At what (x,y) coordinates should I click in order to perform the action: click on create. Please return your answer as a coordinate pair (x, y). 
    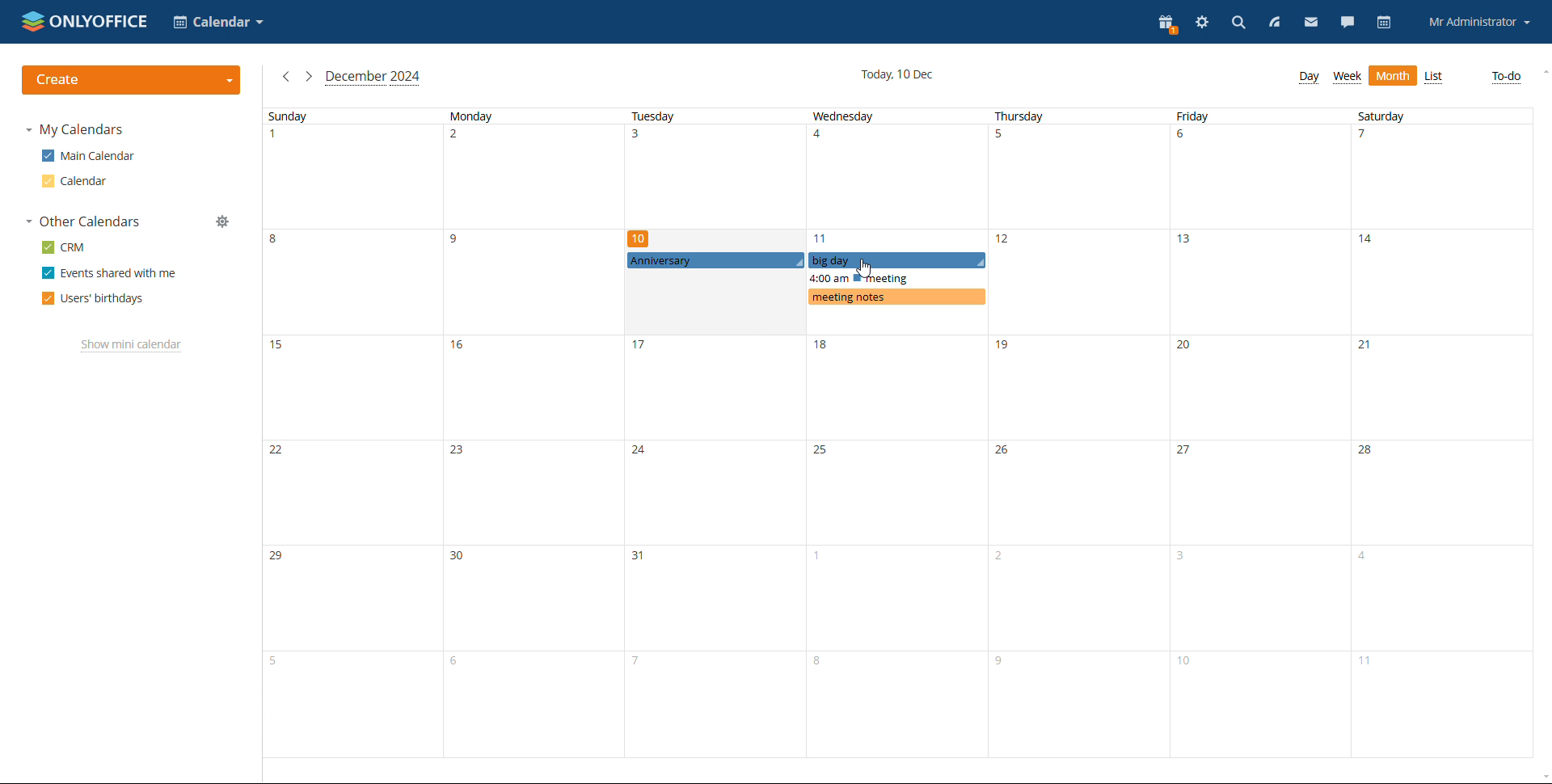
    Looking at the image, I should click on (132, 80).